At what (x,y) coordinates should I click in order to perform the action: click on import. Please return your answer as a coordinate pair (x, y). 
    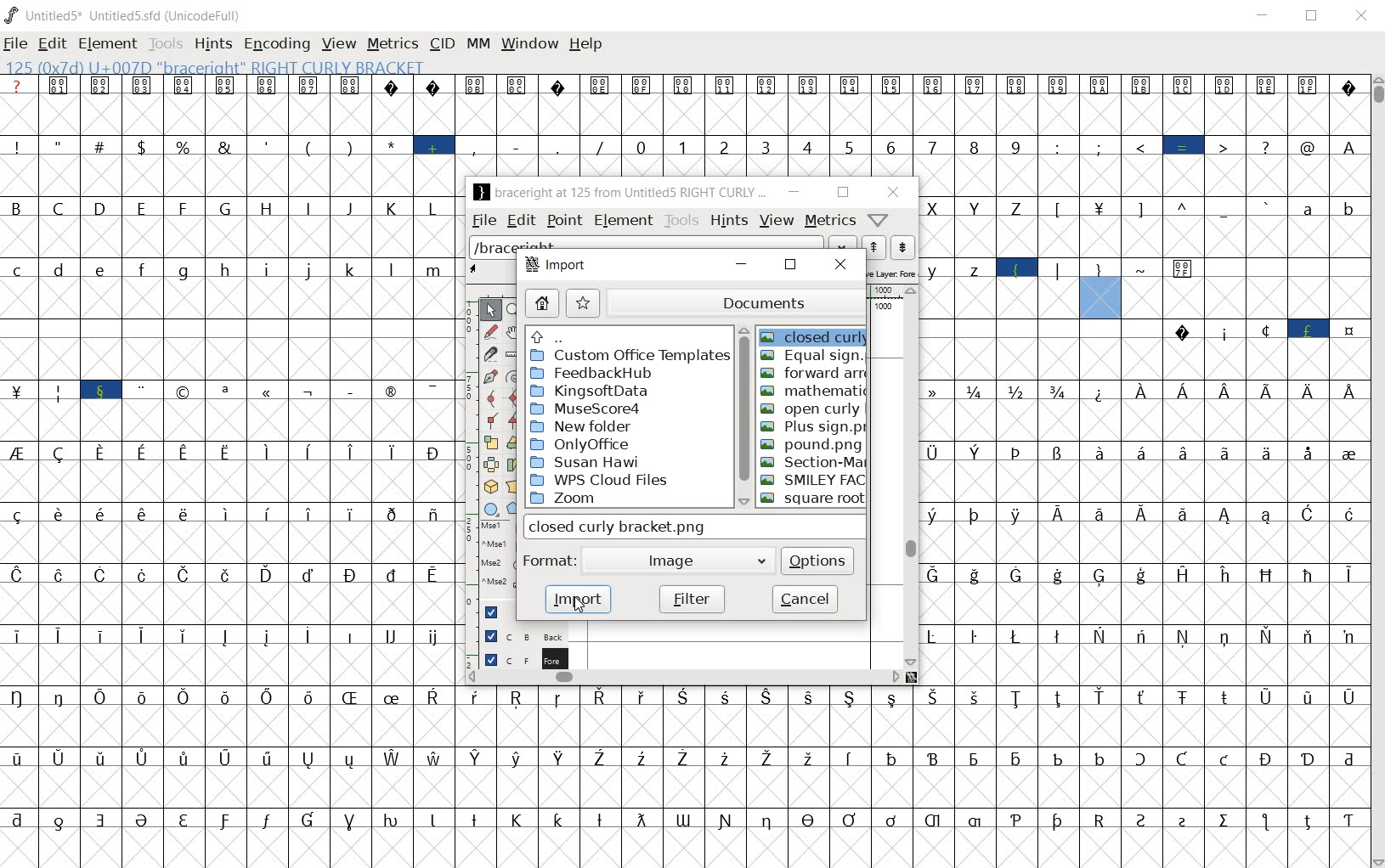
    Looking at the image, I should click on (580, 599).